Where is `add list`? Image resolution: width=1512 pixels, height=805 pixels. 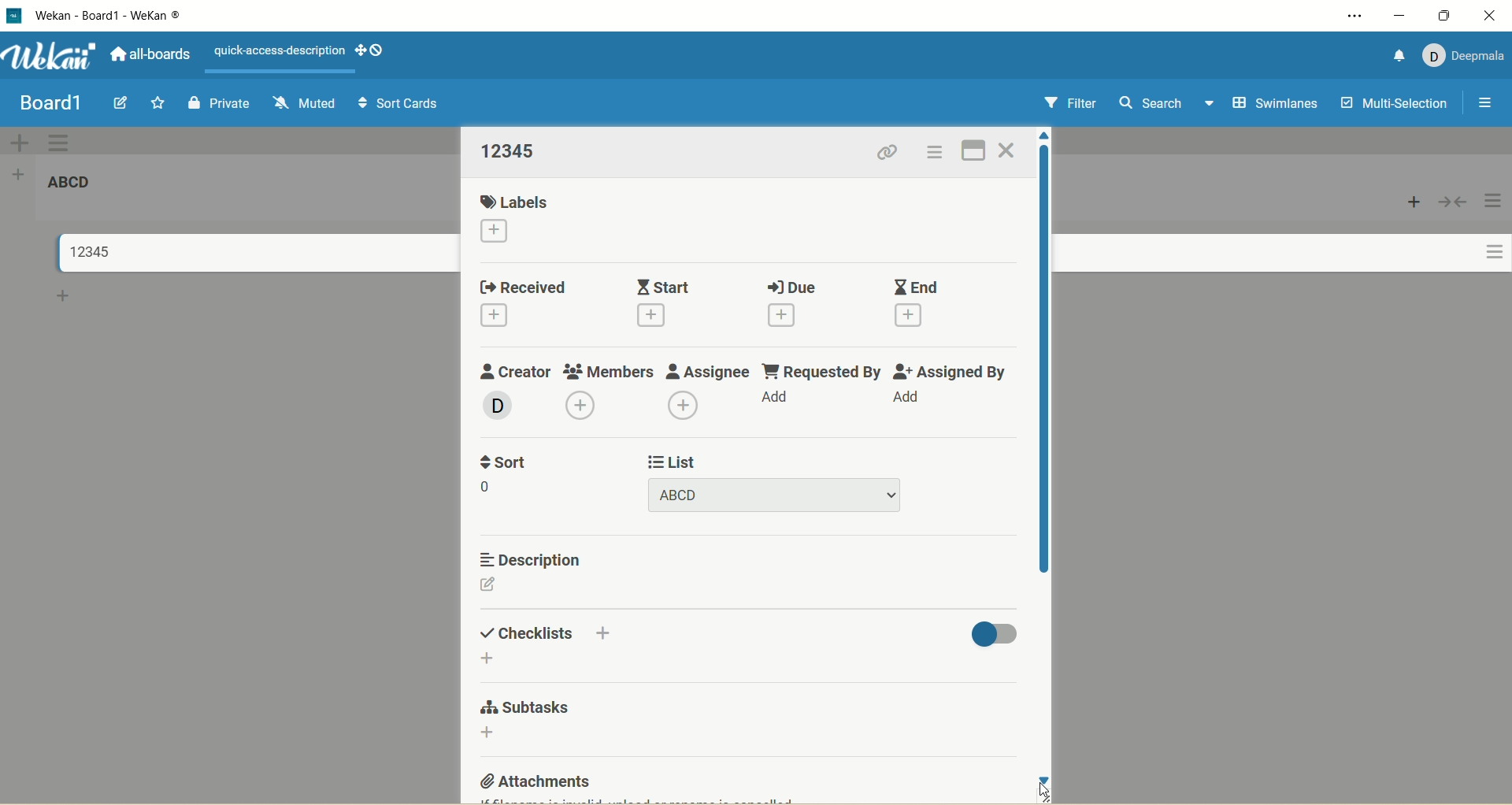
add list is located at coordinates (23, 173).